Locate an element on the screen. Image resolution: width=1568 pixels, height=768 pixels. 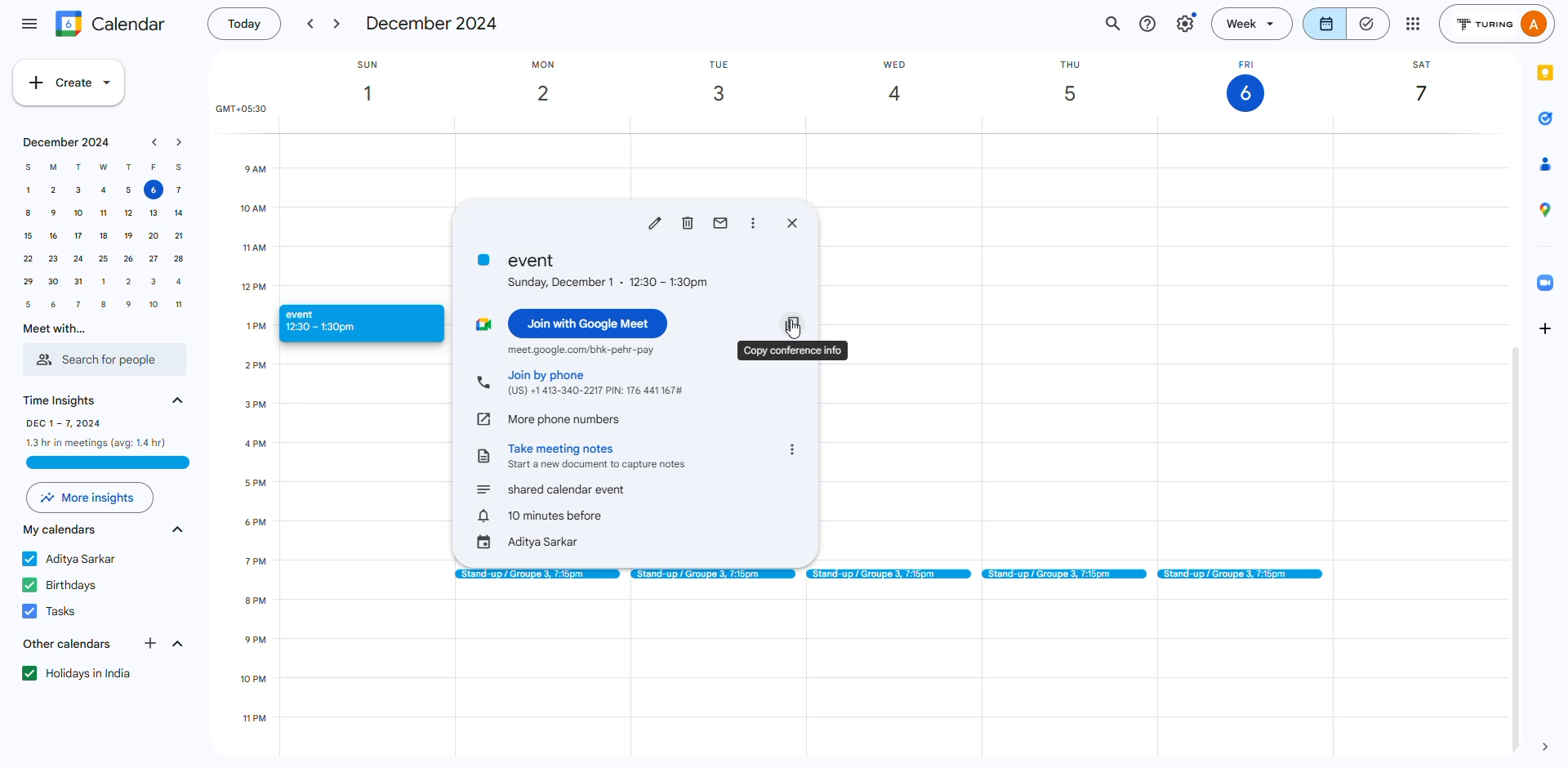
1 is located at coordinates (104, 283).